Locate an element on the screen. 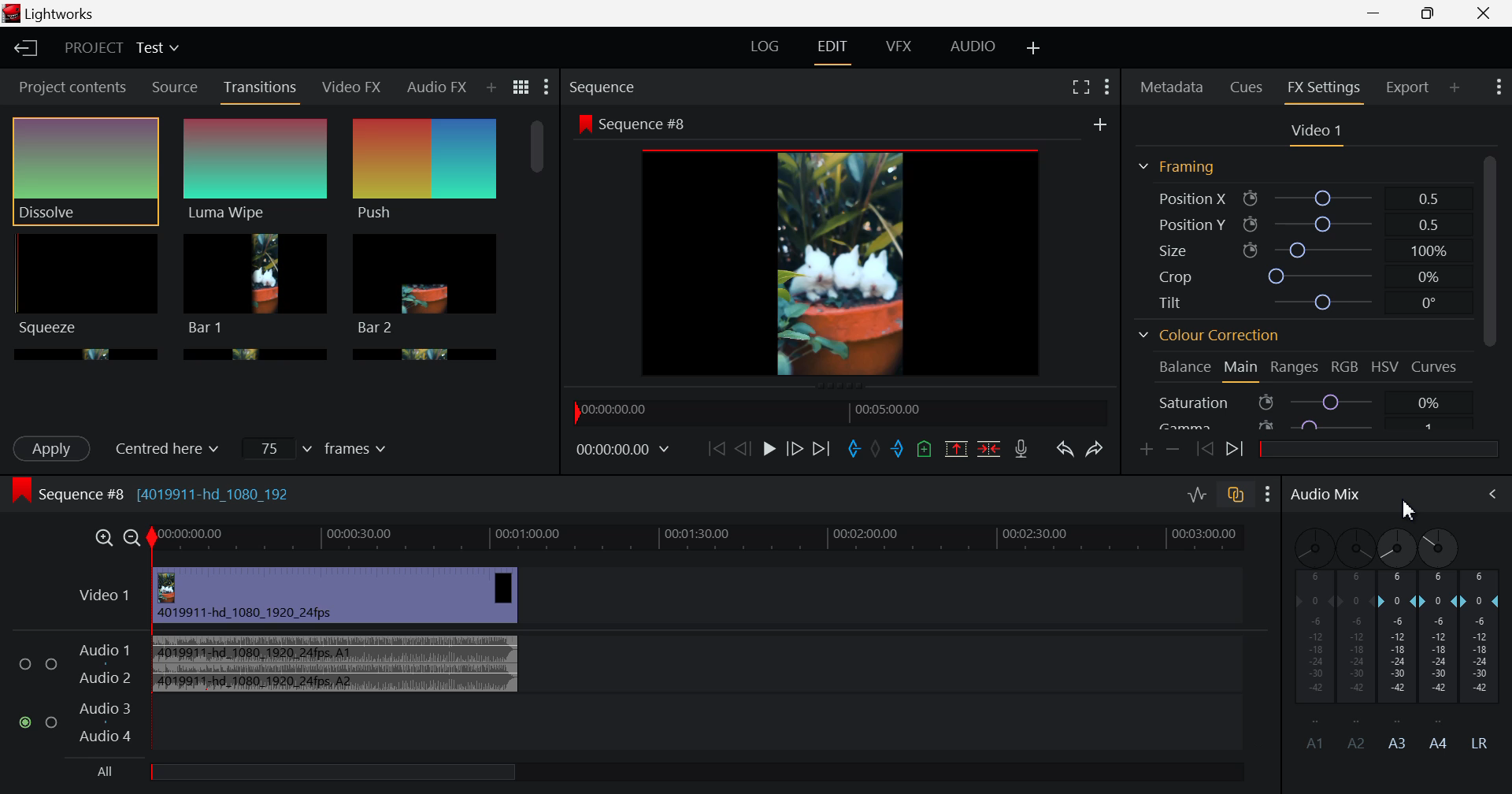 The image size is (1512, 794). Delete/Cut is located at coordinates (991, 448).